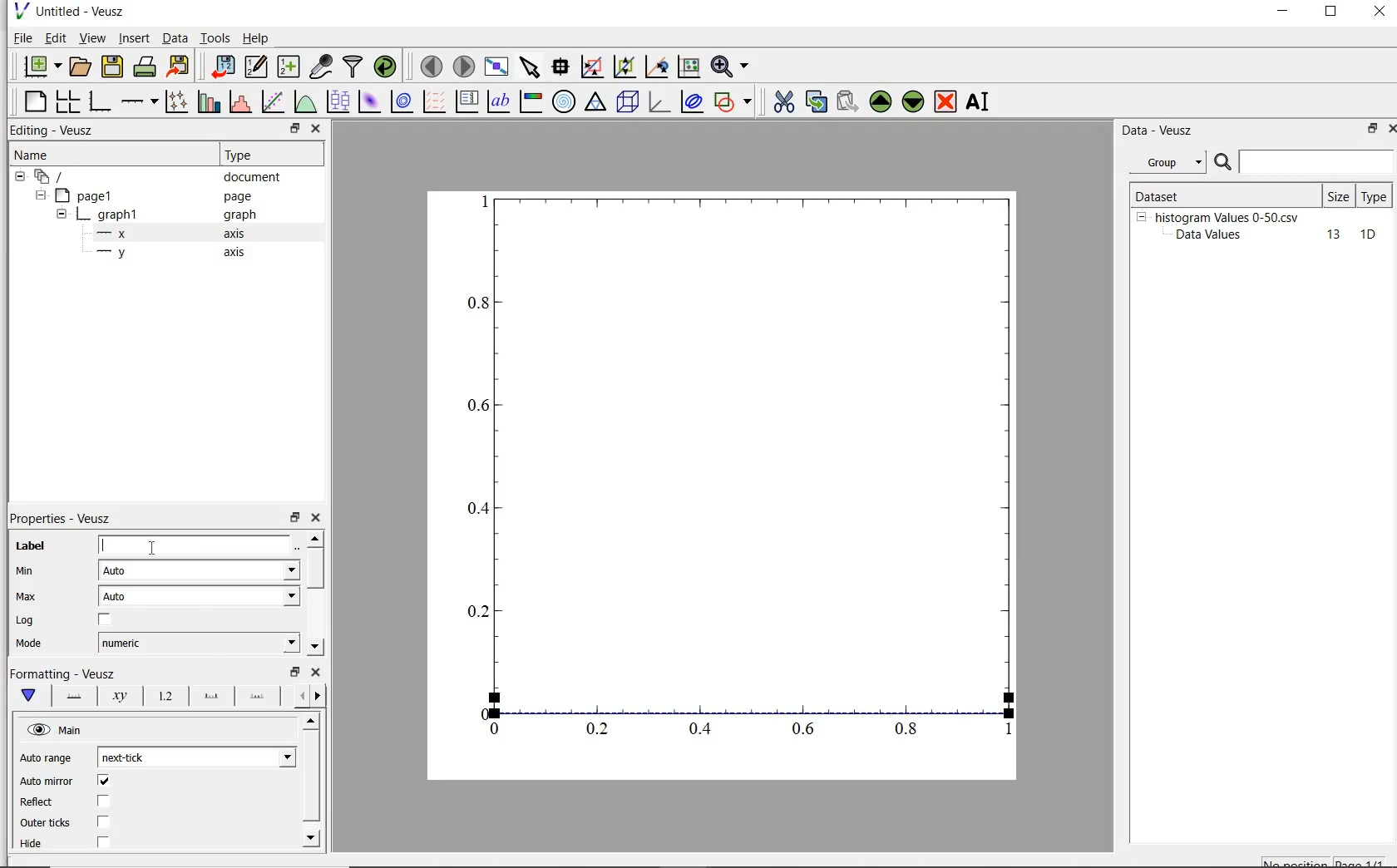  Describe the element at coordinates (47, 759) in the screenshot. I see ` Auto range` at that location.